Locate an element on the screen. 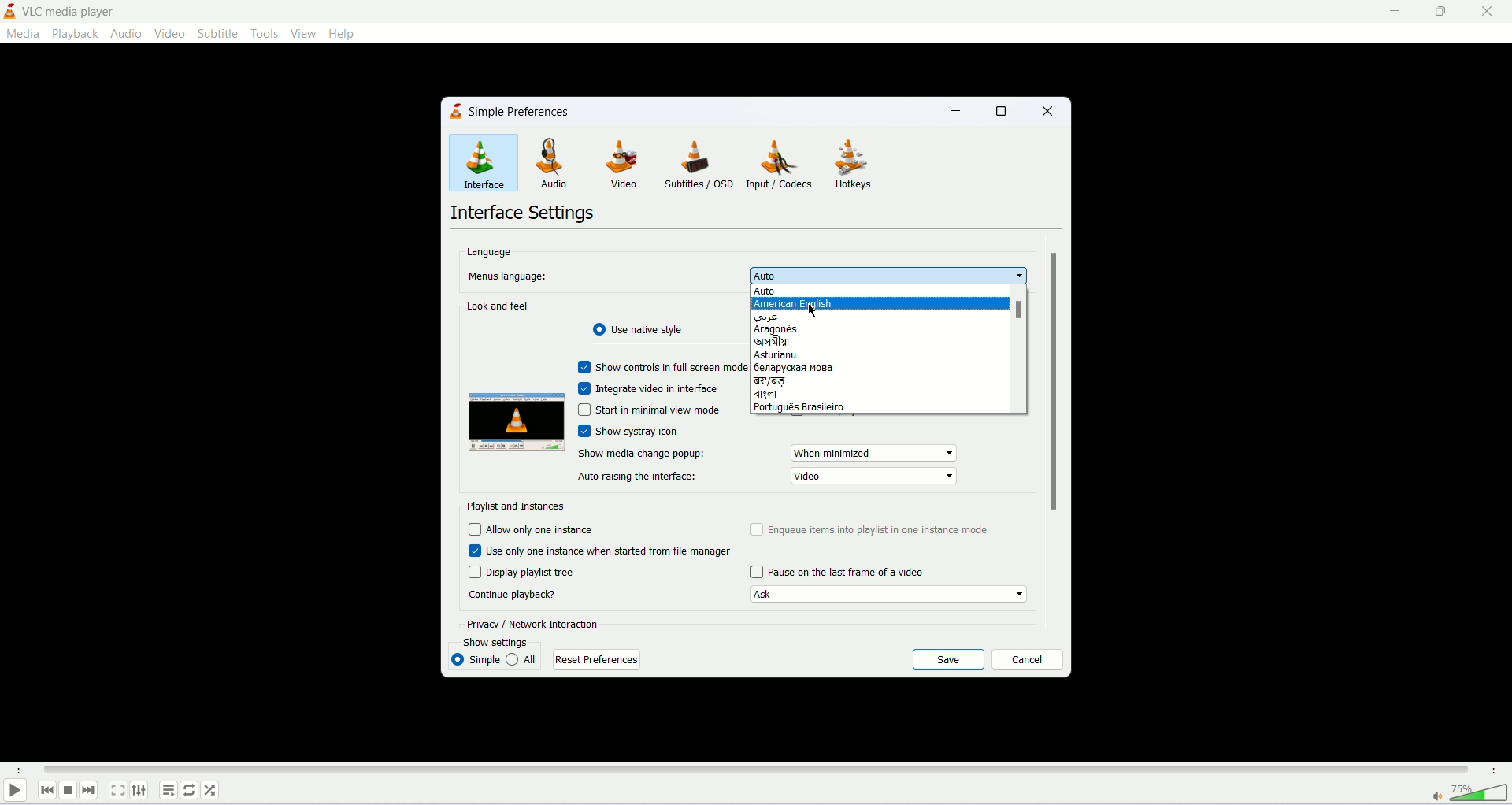  badh is located at coordinates (793, 380).